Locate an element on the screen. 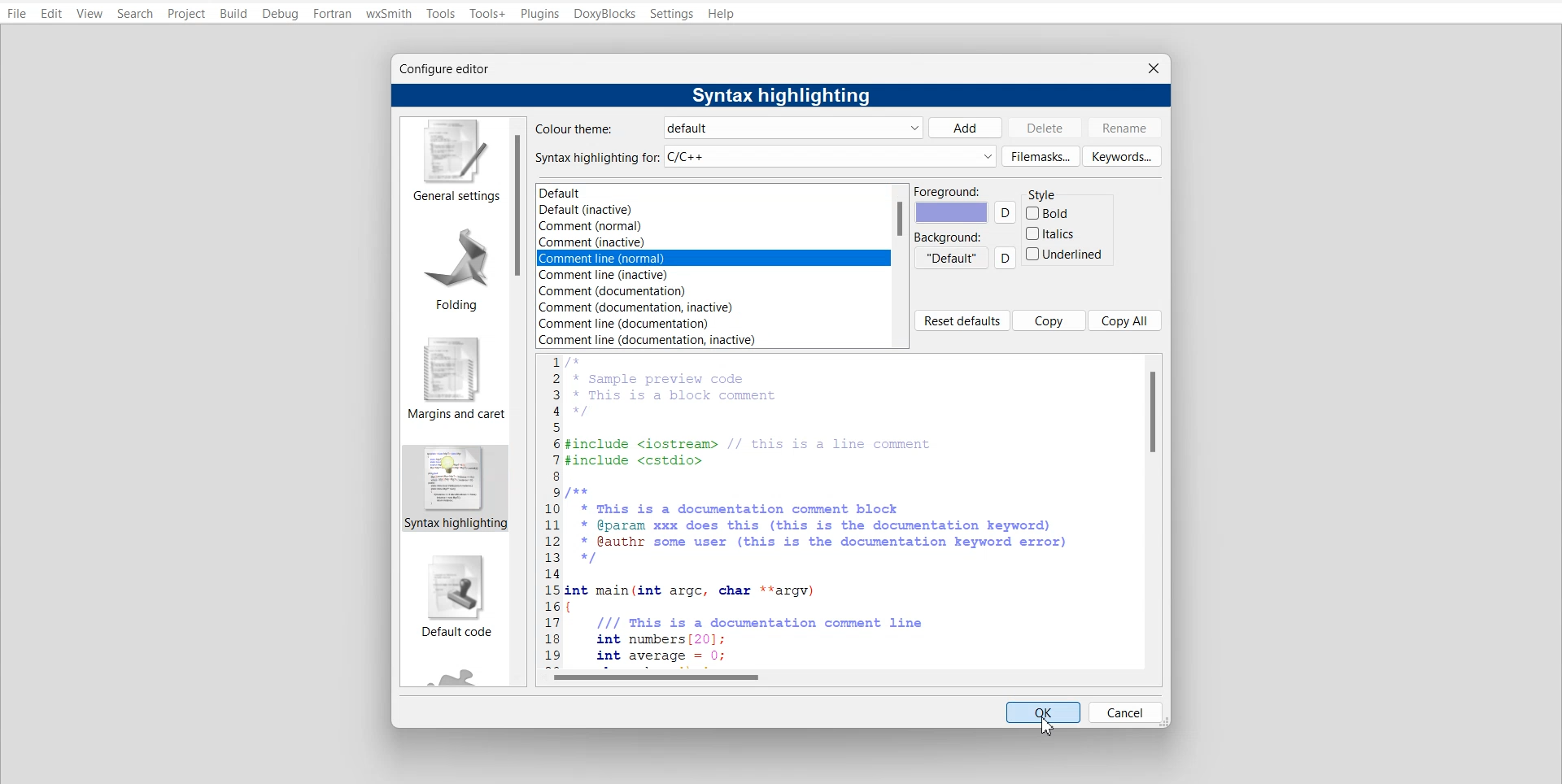 The width and height of the screenshot is (1562, 784). | Comment (documentation) is located at coordinates (625, 291).